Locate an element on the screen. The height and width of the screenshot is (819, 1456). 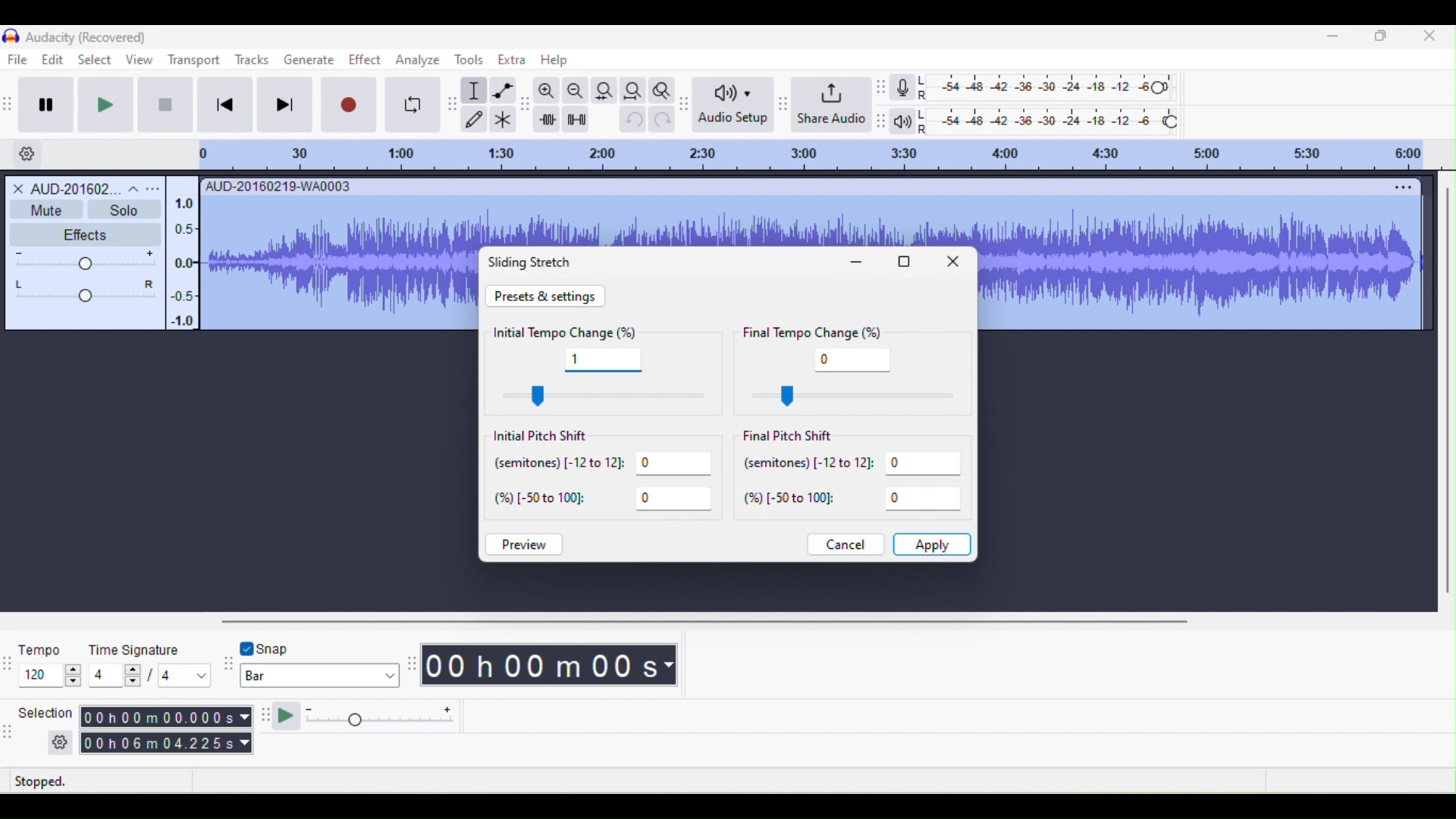
selection is located at coordinates (43, 727).